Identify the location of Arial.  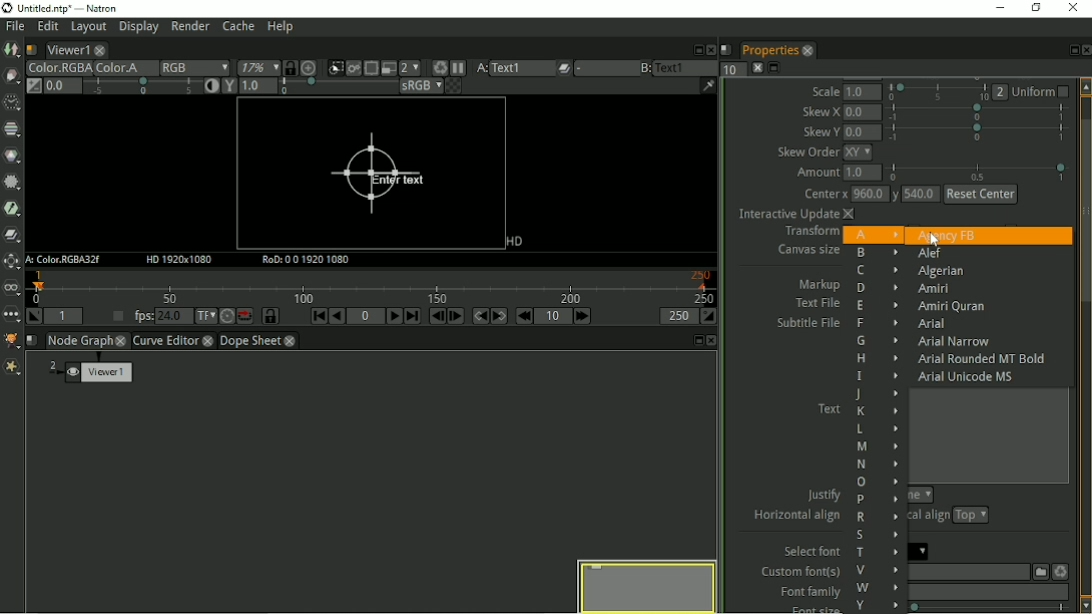
(935, 324).